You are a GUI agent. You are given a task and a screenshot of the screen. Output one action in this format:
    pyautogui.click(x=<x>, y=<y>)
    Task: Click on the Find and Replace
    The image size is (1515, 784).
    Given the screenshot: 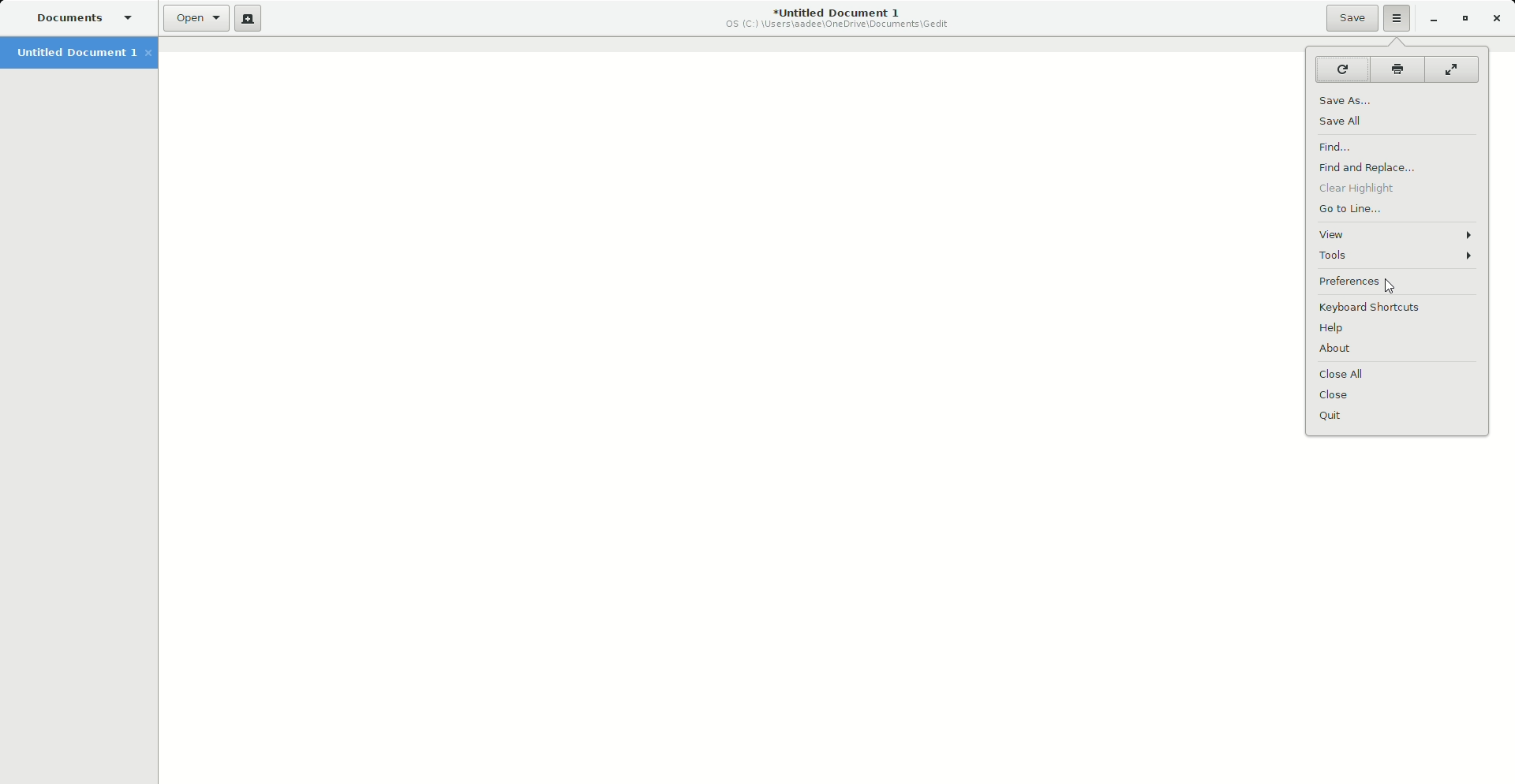 What is the action you would take?
    pyautogui.click(x=1370, y=166)
    